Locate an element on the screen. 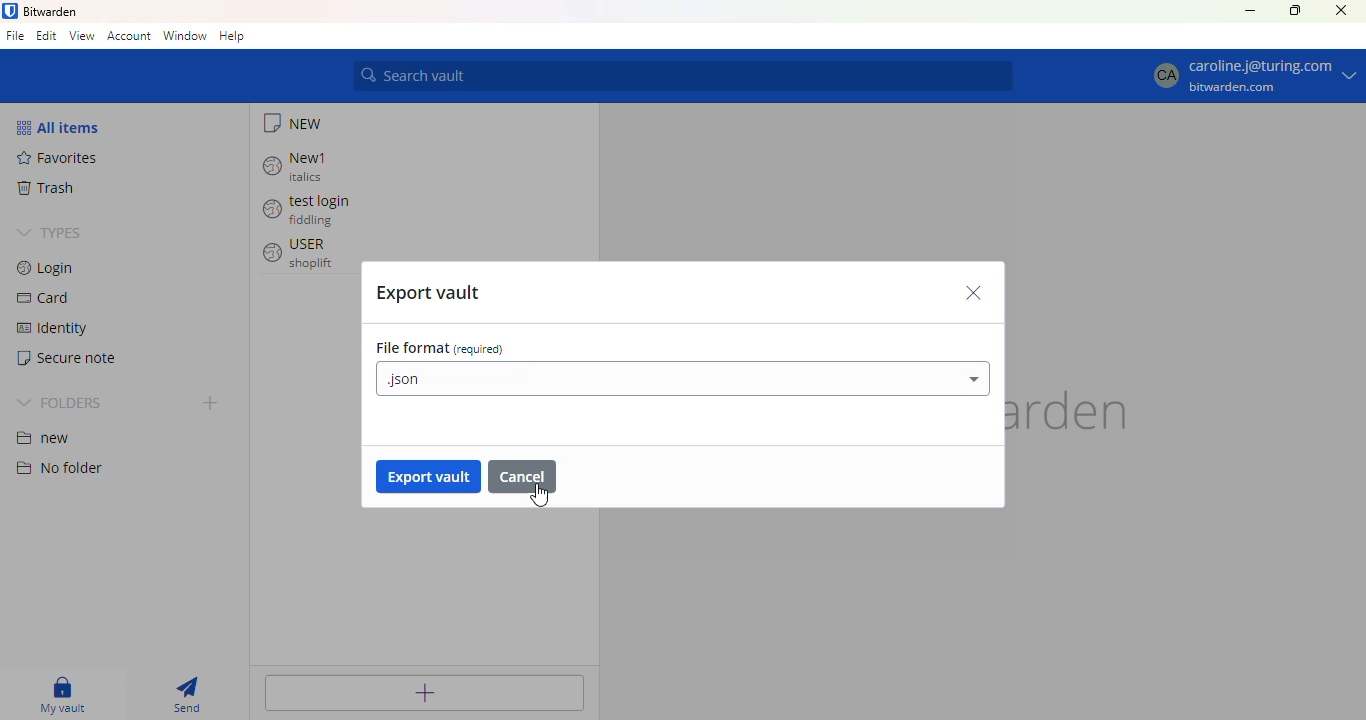  all items is located at coordinates (60, 128).